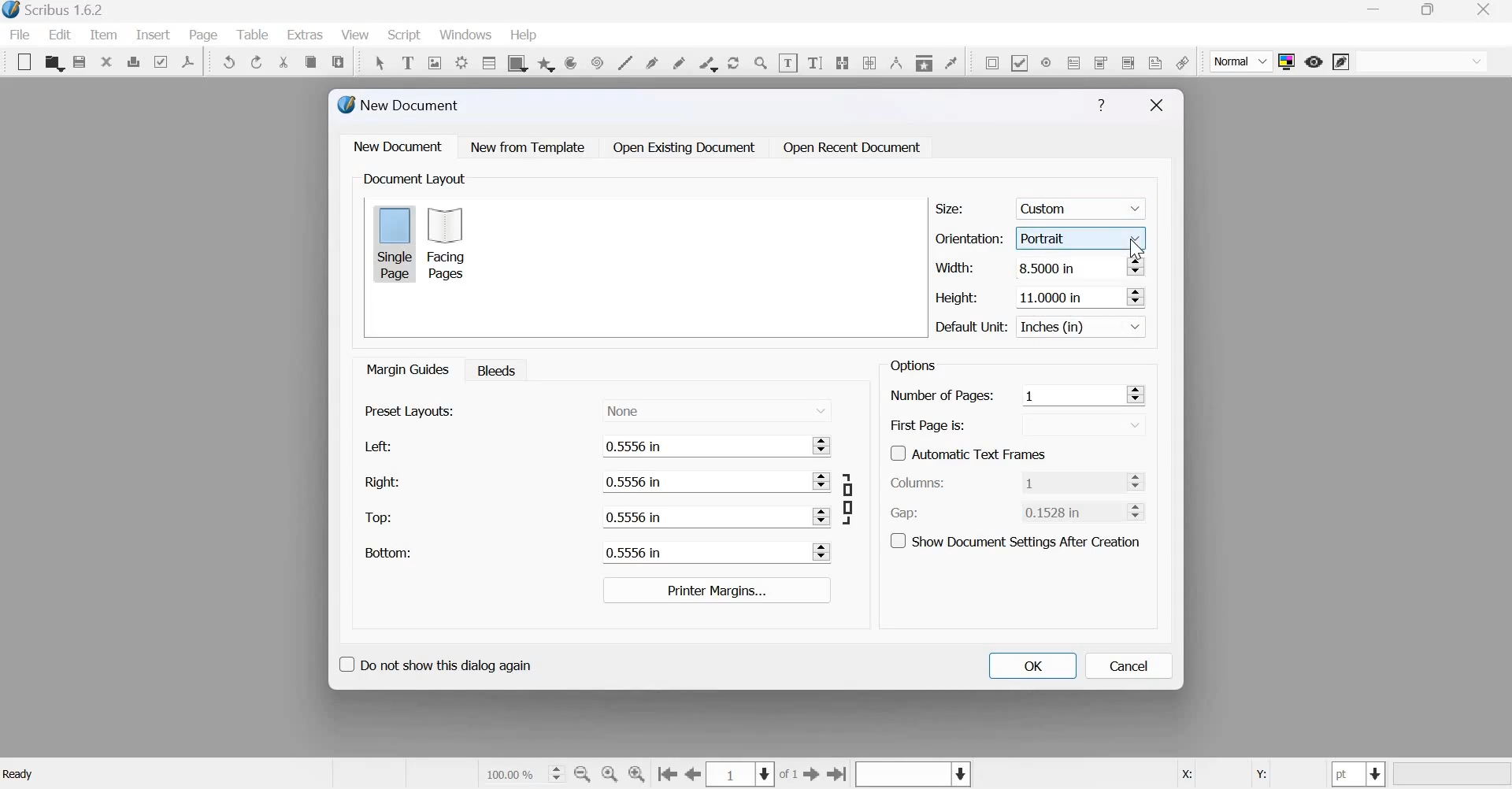 The image size is (1512, 789). What do you see at coordinates (694, 774) in the screenshot?
I see `go to the previous page` at bounding box center [694, 774].